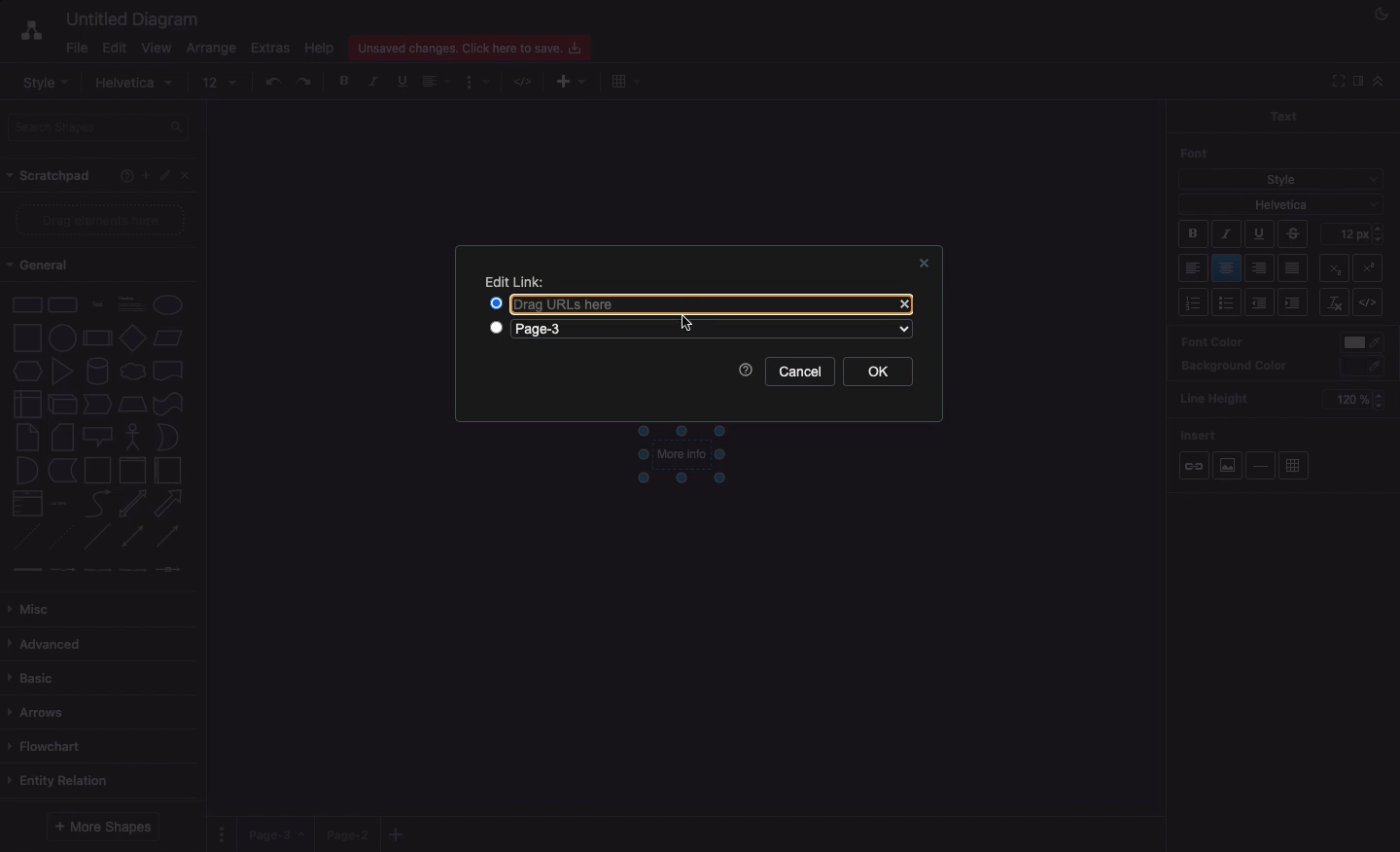 The image size is (1400, 852). What do you see at coordinates (62, 571) in the screenshot?
I see `connector with label` at bounding box center [62, 571].